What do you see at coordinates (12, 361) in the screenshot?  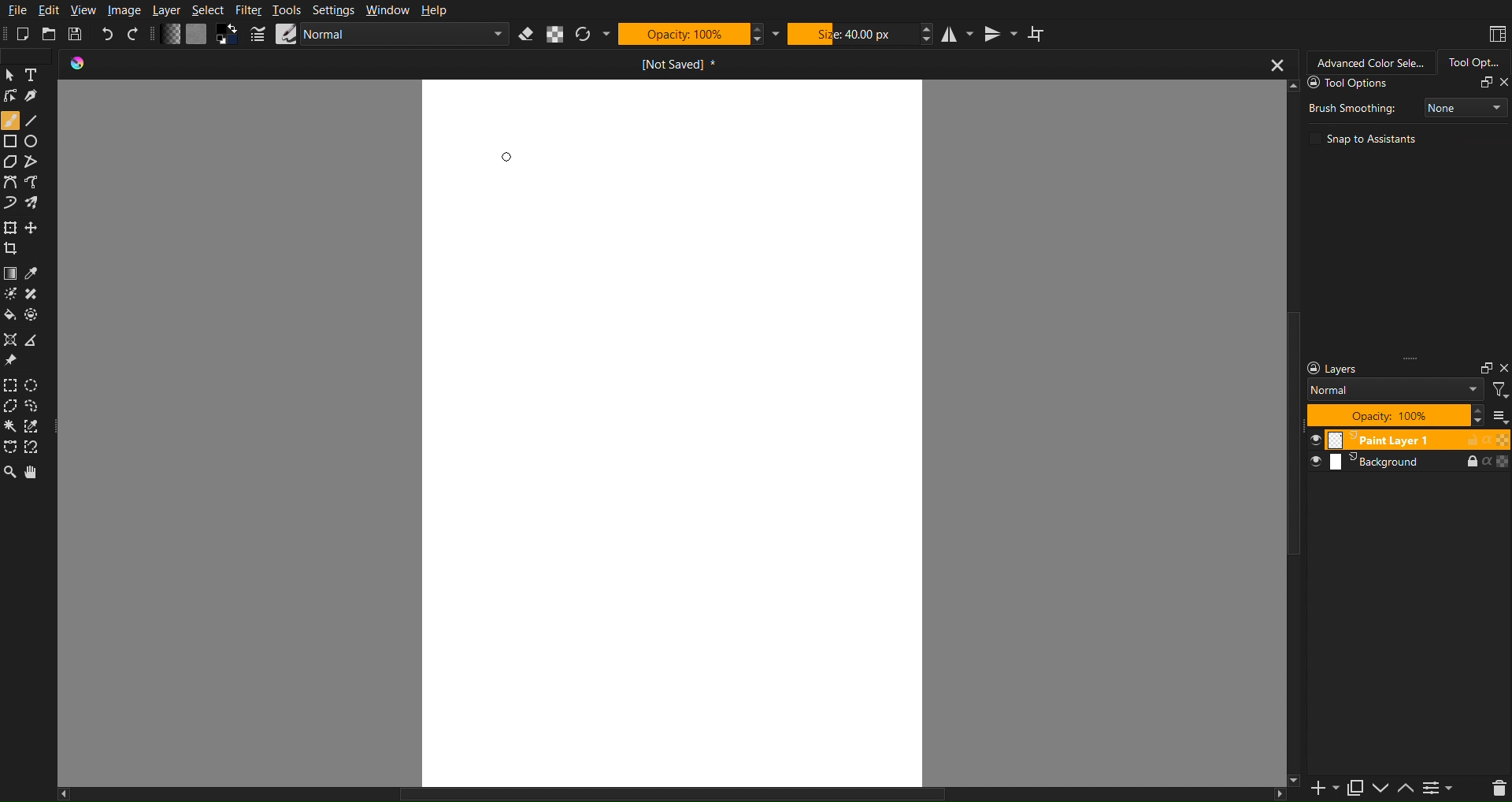 I see `Pin` at bounding box center [12, 361].